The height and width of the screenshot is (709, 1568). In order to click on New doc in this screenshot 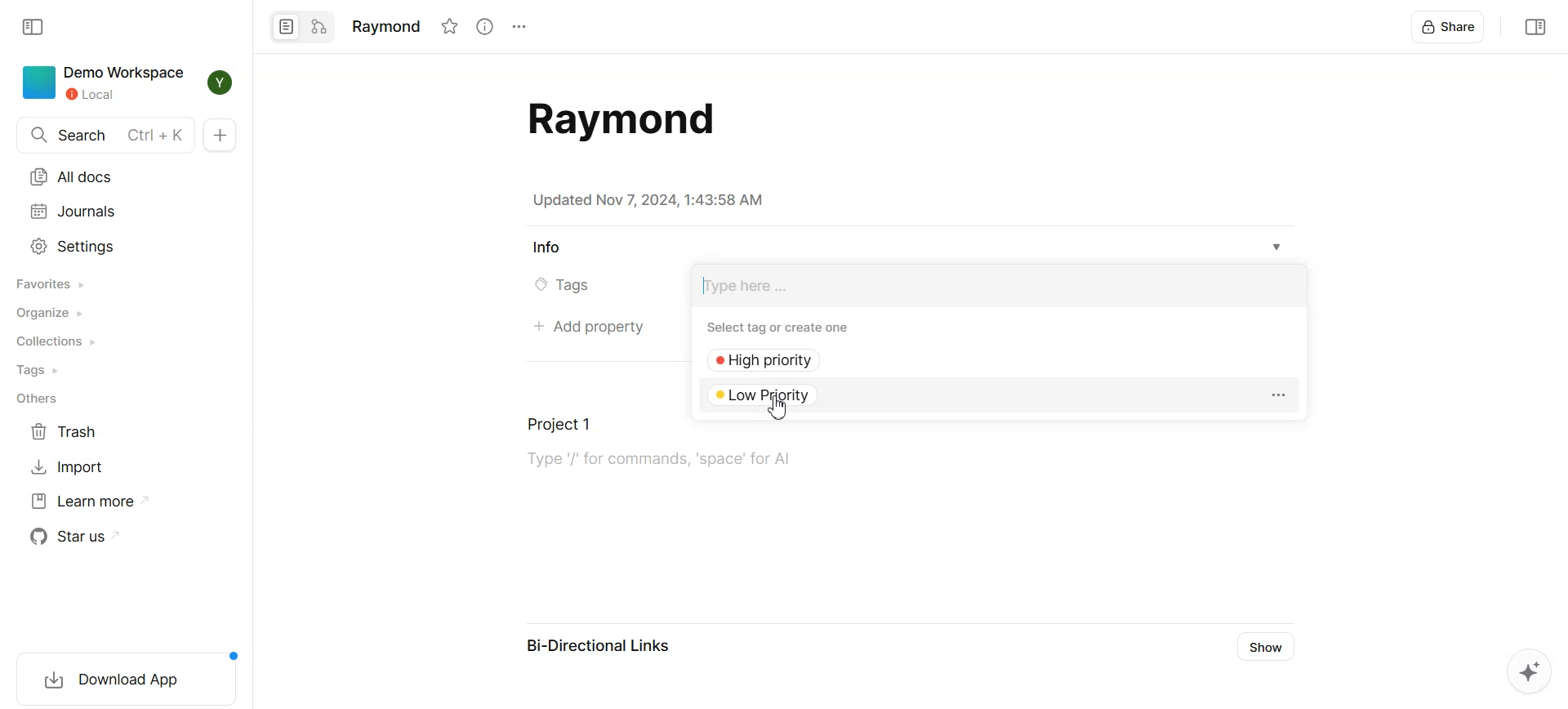, I will do `click(220, 135)`.